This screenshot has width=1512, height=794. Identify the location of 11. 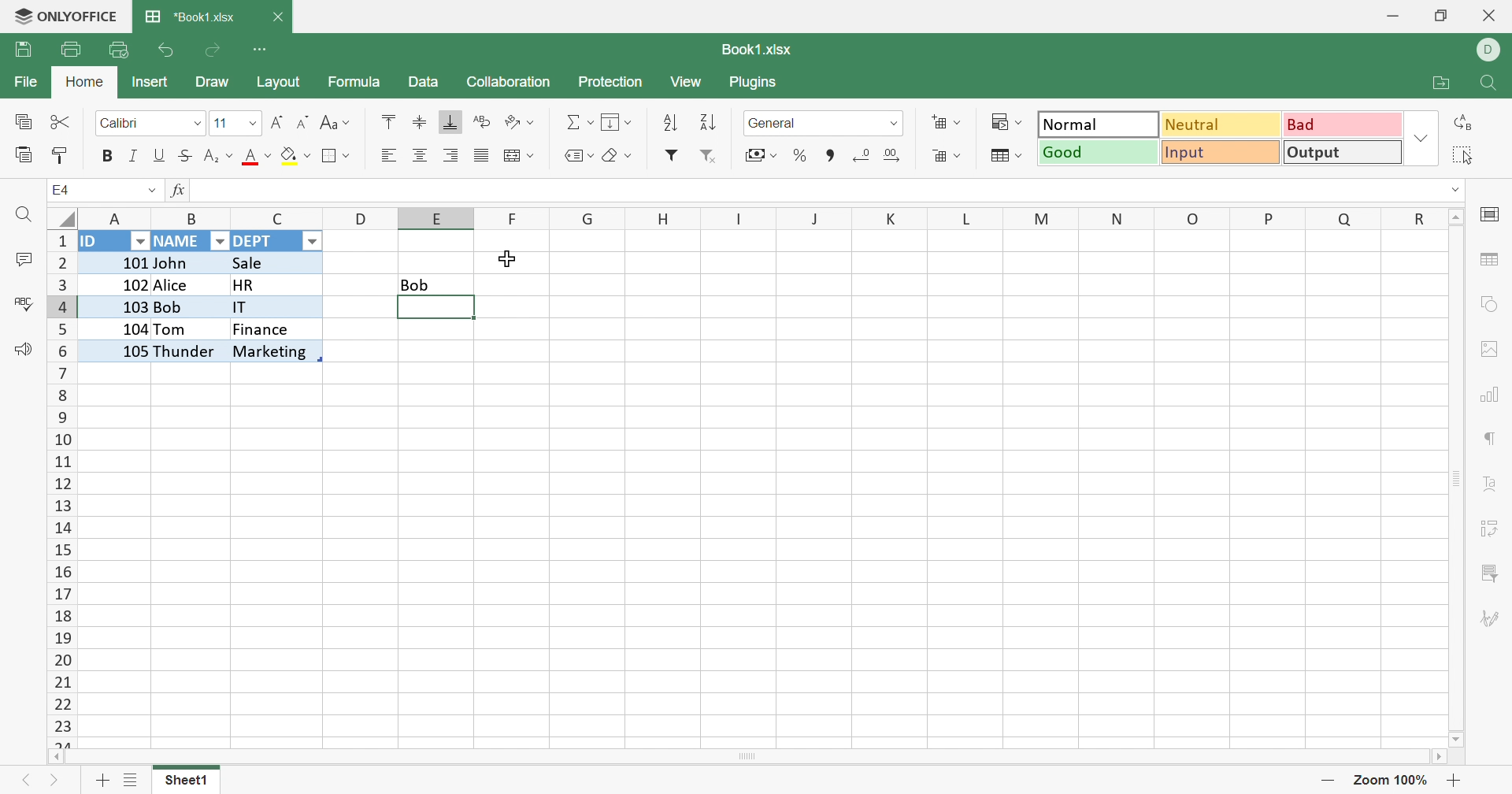
(220, 123).